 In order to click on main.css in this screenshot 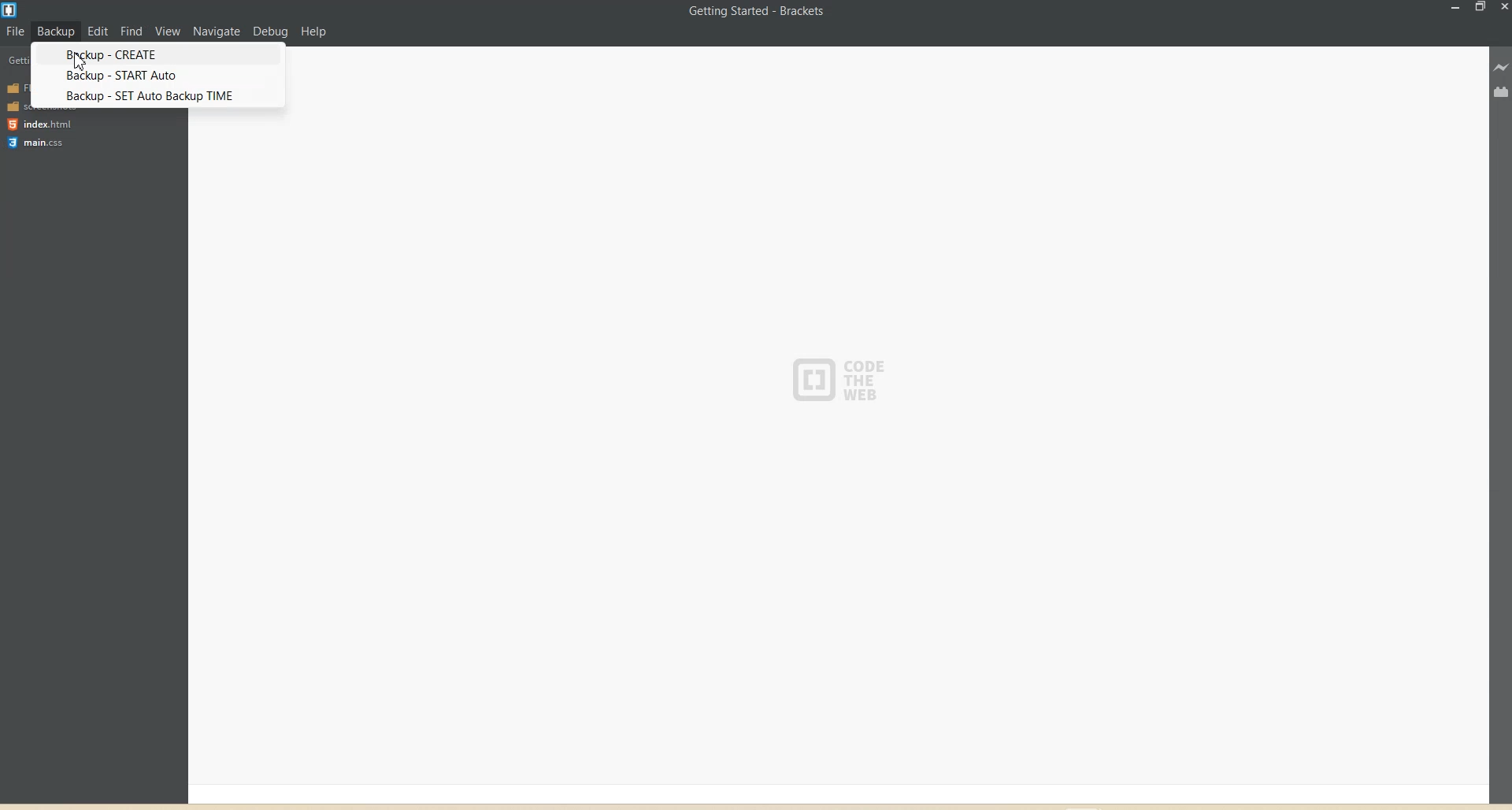, I will do `click(39, 143)`.